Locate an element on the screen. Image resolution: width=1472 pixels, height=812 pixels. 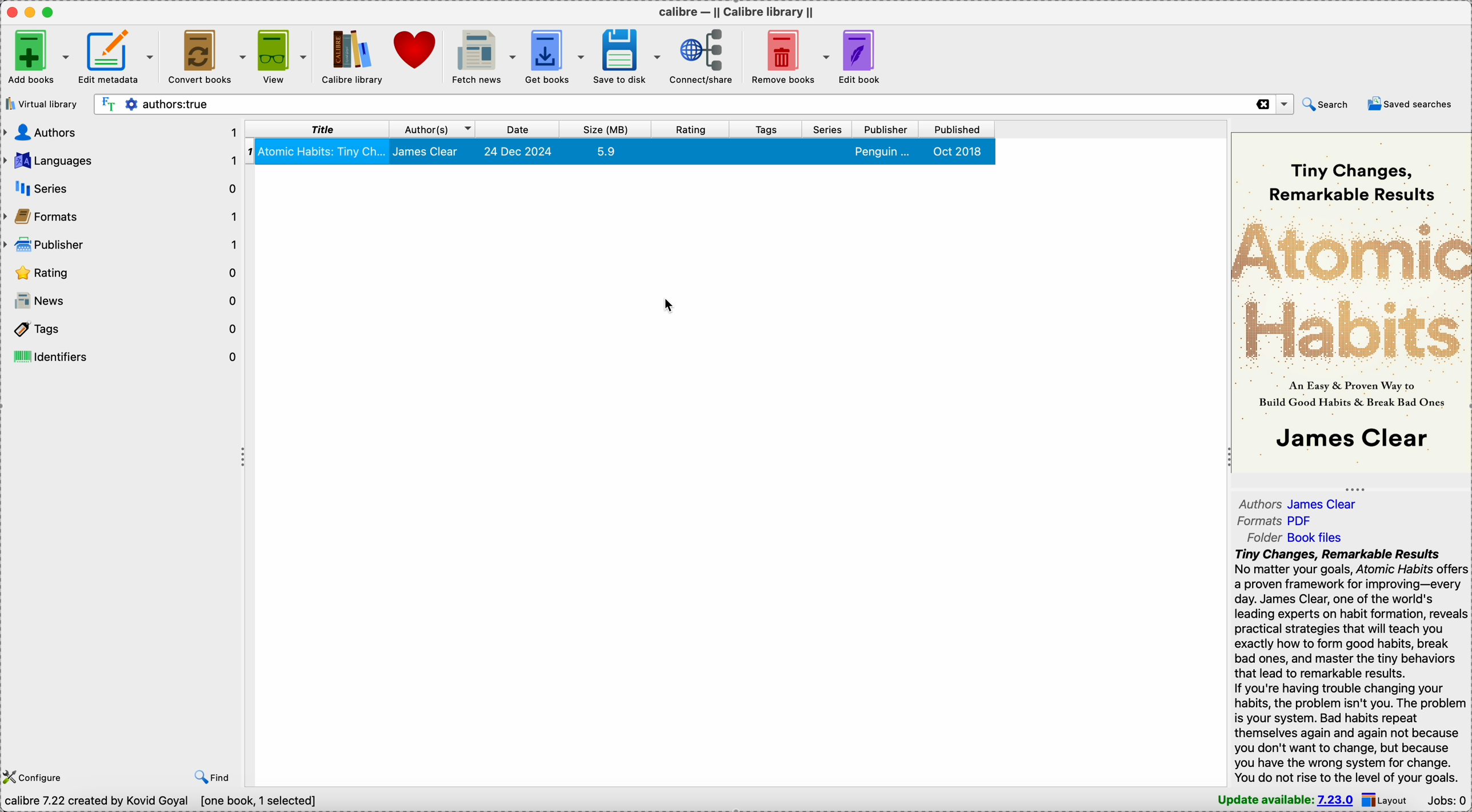
rating is located at coordinates (122, 273).